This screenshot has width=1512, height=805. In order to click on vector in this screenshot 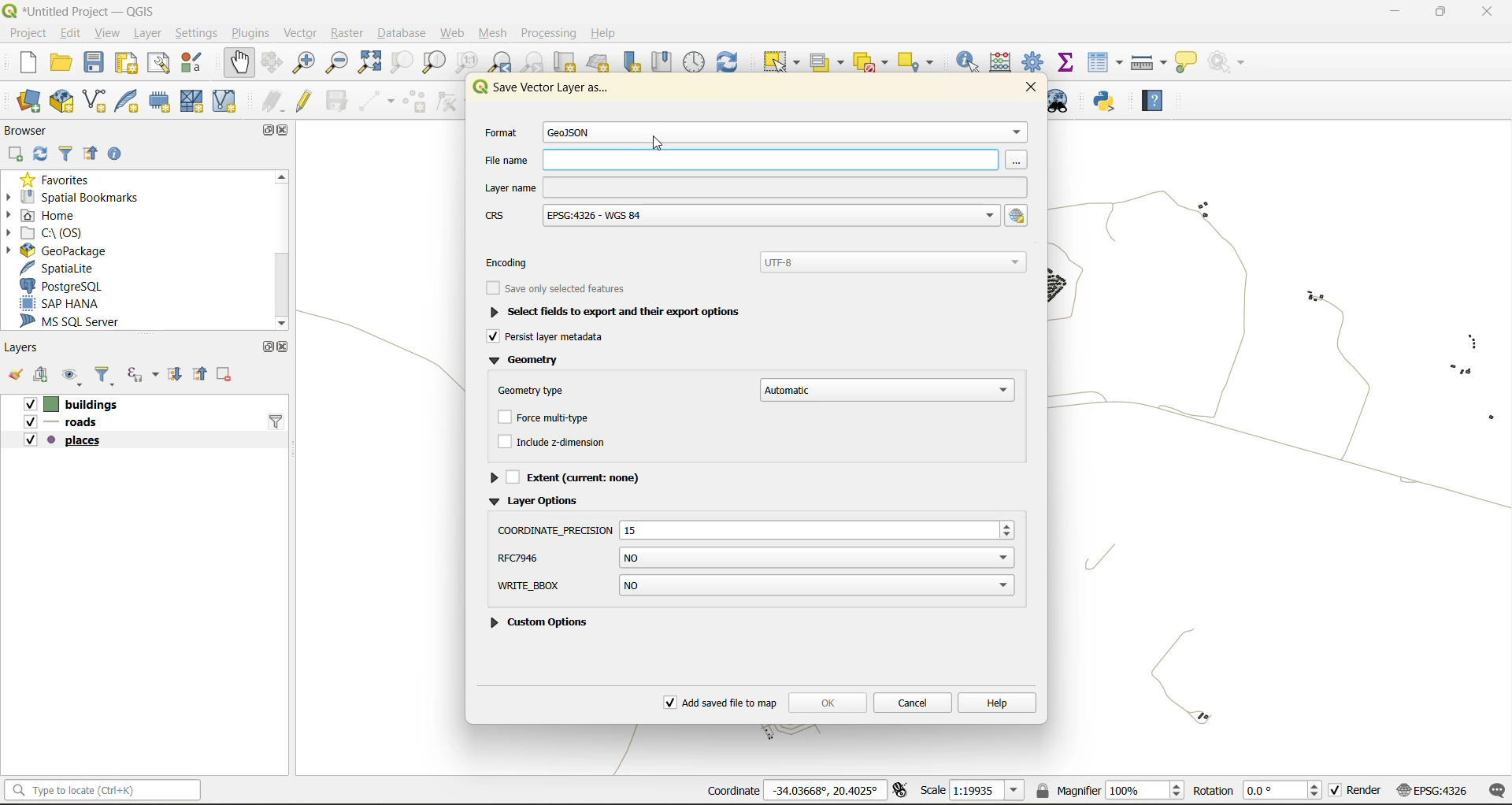, I will do `click(303, 33)`.